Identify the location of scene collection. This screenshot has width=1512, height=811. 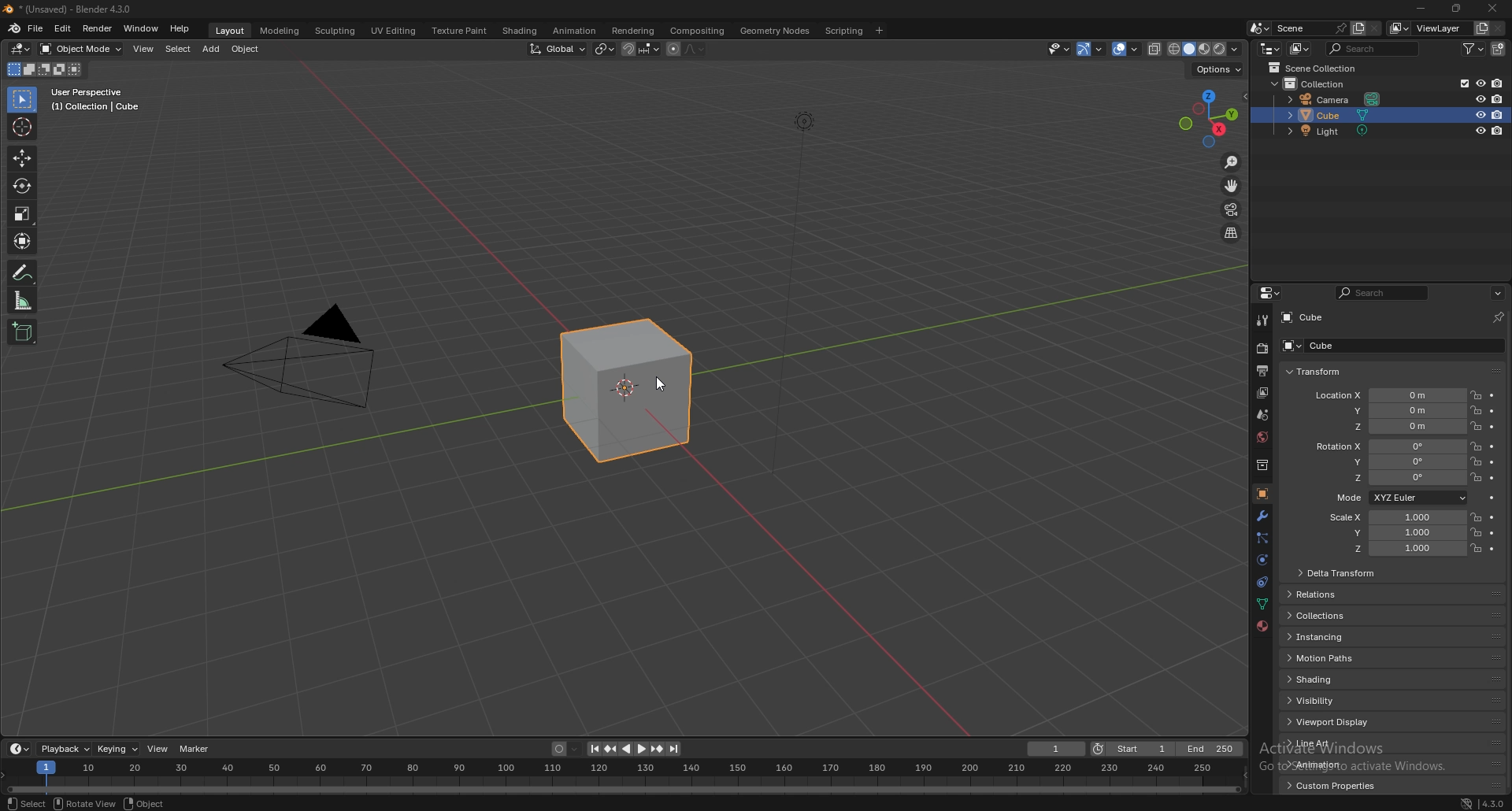
(1320, 67).